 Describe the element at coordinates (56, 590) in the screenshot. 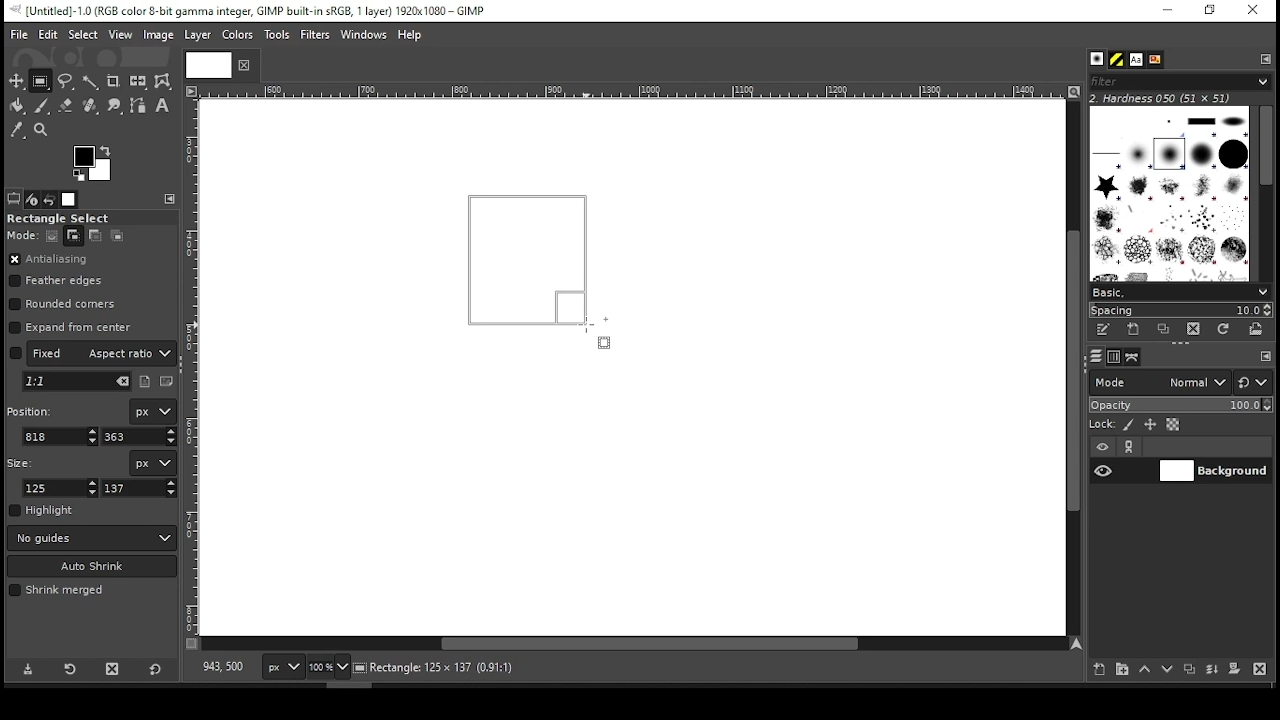

I see `shrink merged` at that location.